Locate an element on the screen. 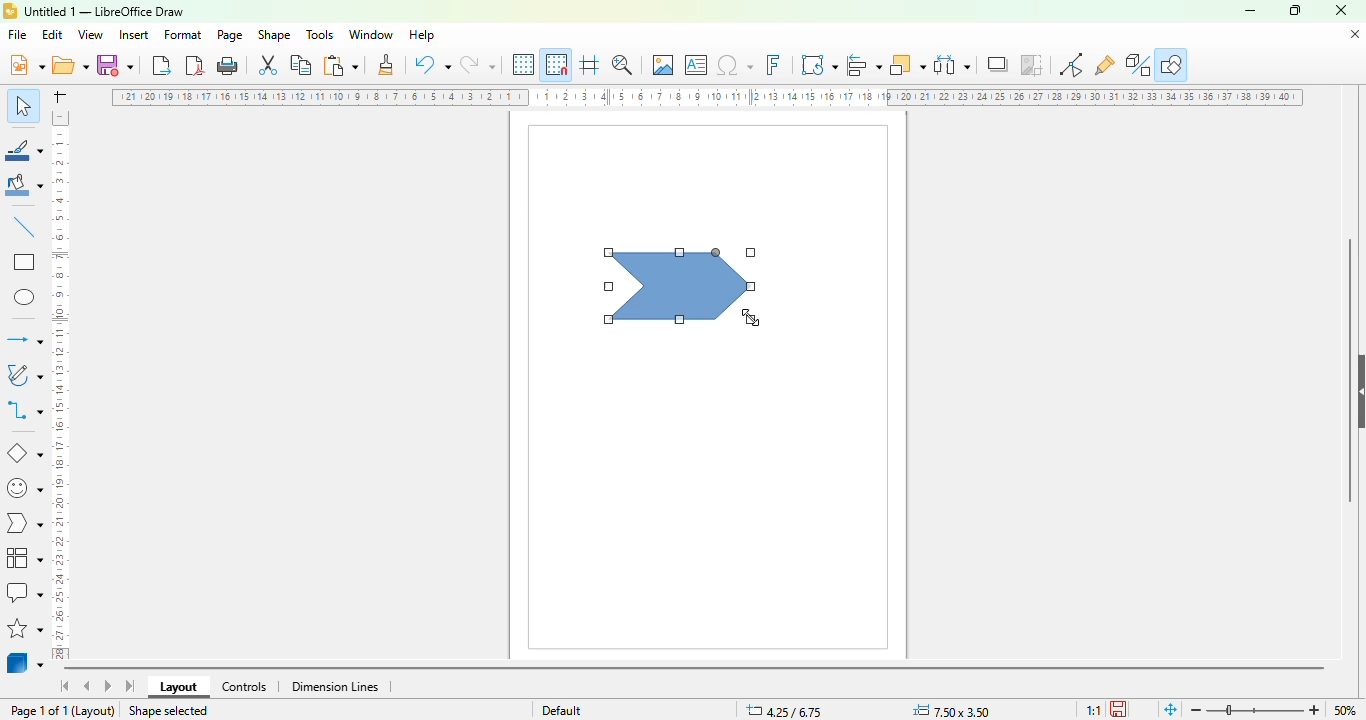 The width and height of the screenshot is (1366, 720). new is located at coordinates (26, 64).